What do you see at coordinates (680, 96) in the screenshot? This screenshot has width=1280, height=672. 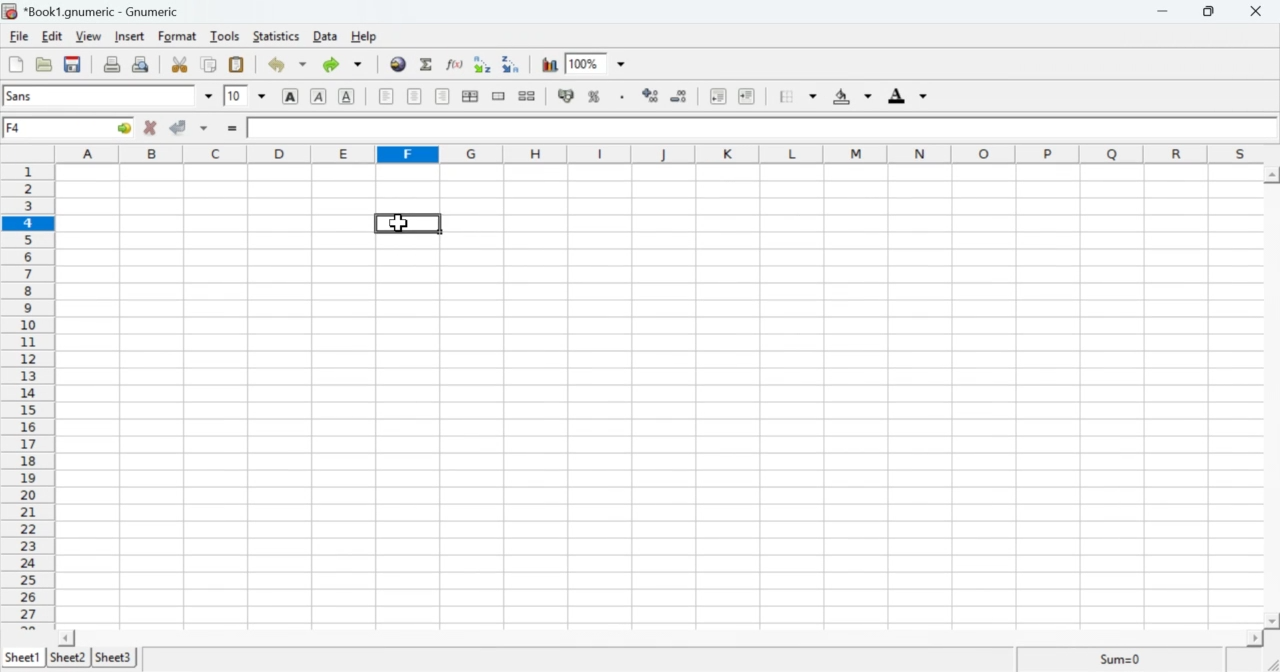 I see `Decrease number of decimals` at bounding box center [680, 96].